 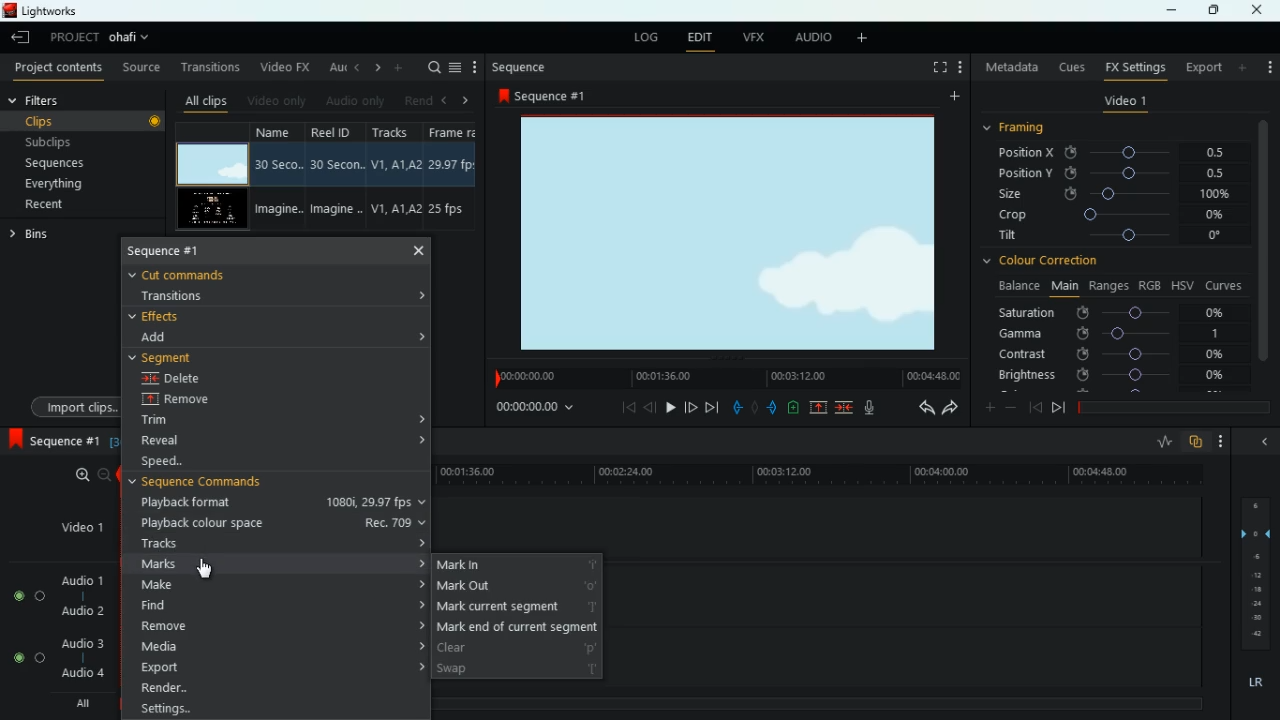 What do you see at coordinates (650, 407) in the screenshot?
I see `back` at bounding box center [650, 407].